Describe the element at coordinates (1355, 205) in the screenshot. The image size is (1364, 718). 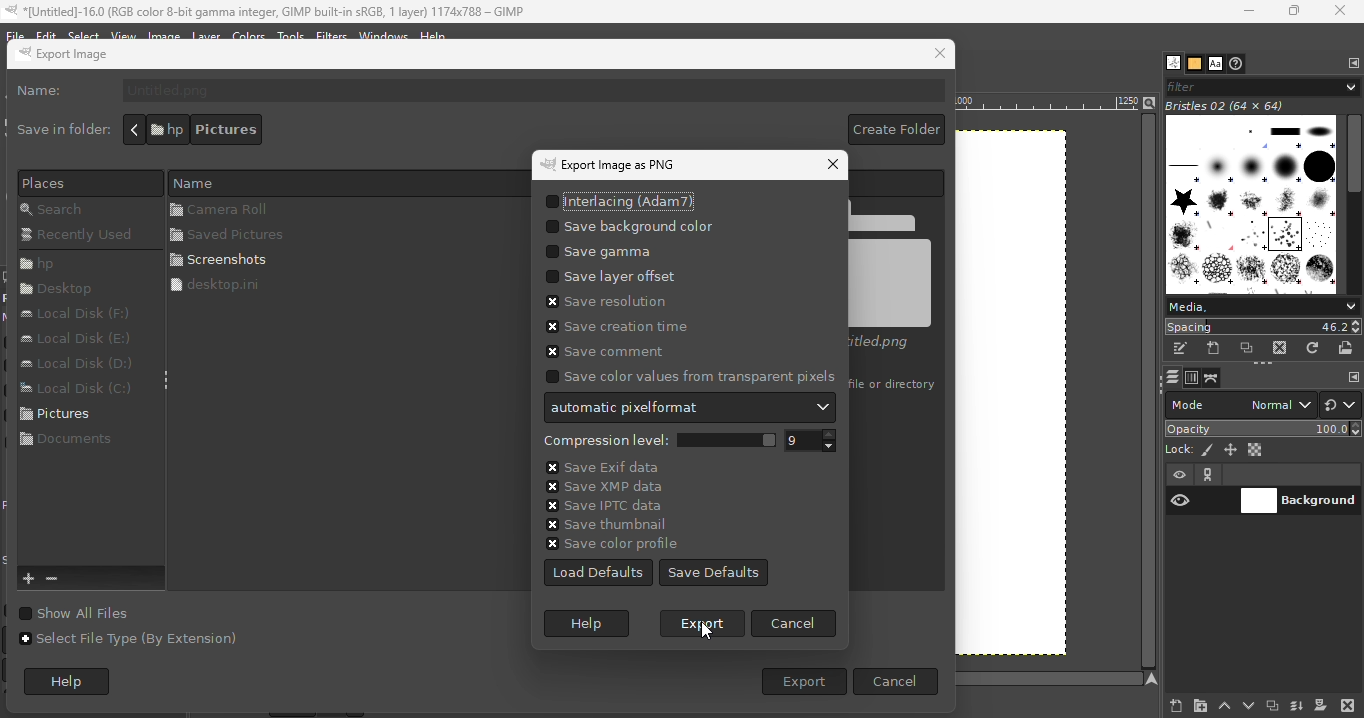
I see `Horizontal scroll bar` at that location.